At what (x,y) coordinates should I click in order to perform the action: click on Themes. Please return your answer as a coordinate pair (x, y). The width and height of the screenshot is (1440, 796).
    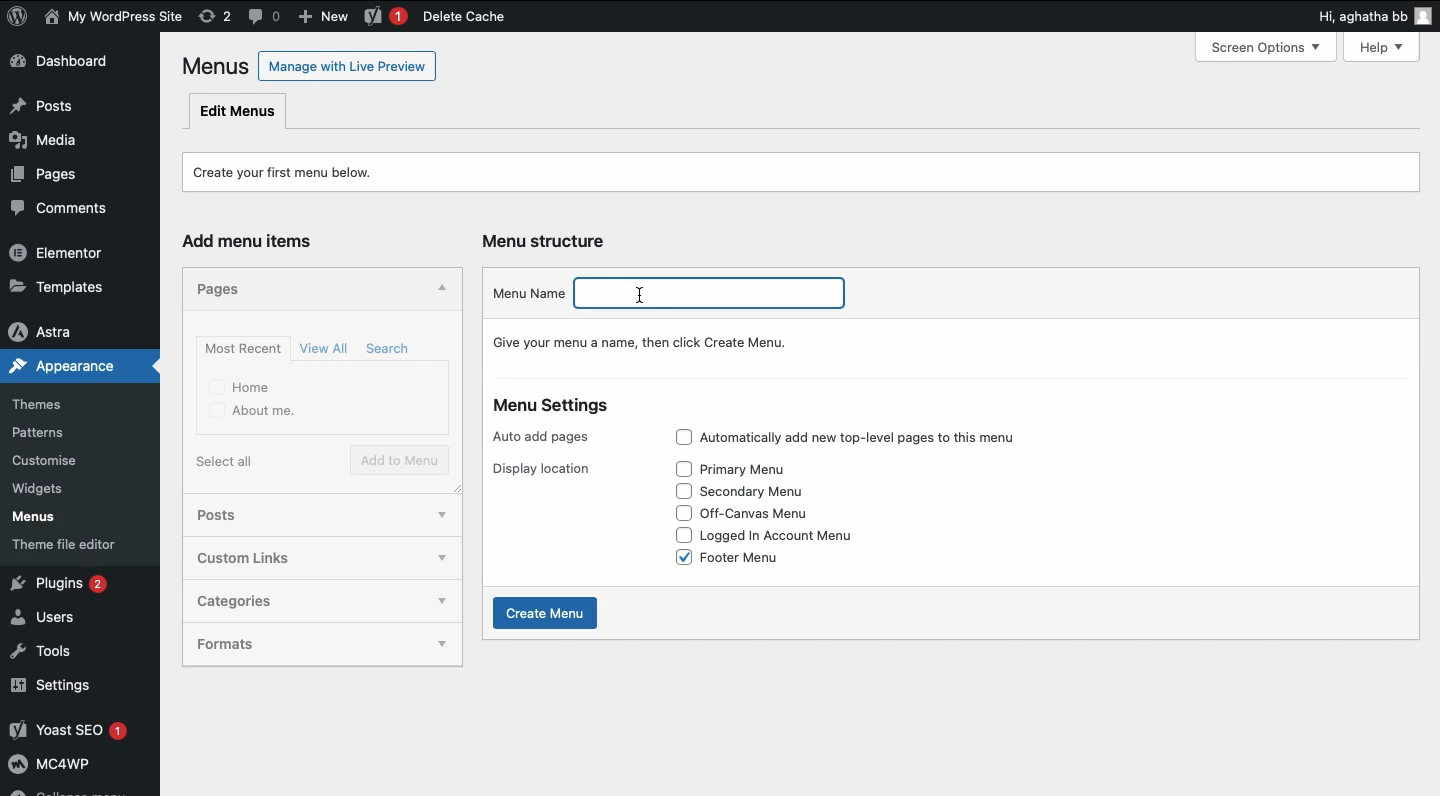
    Looking at the image, I should click on (50, 401).